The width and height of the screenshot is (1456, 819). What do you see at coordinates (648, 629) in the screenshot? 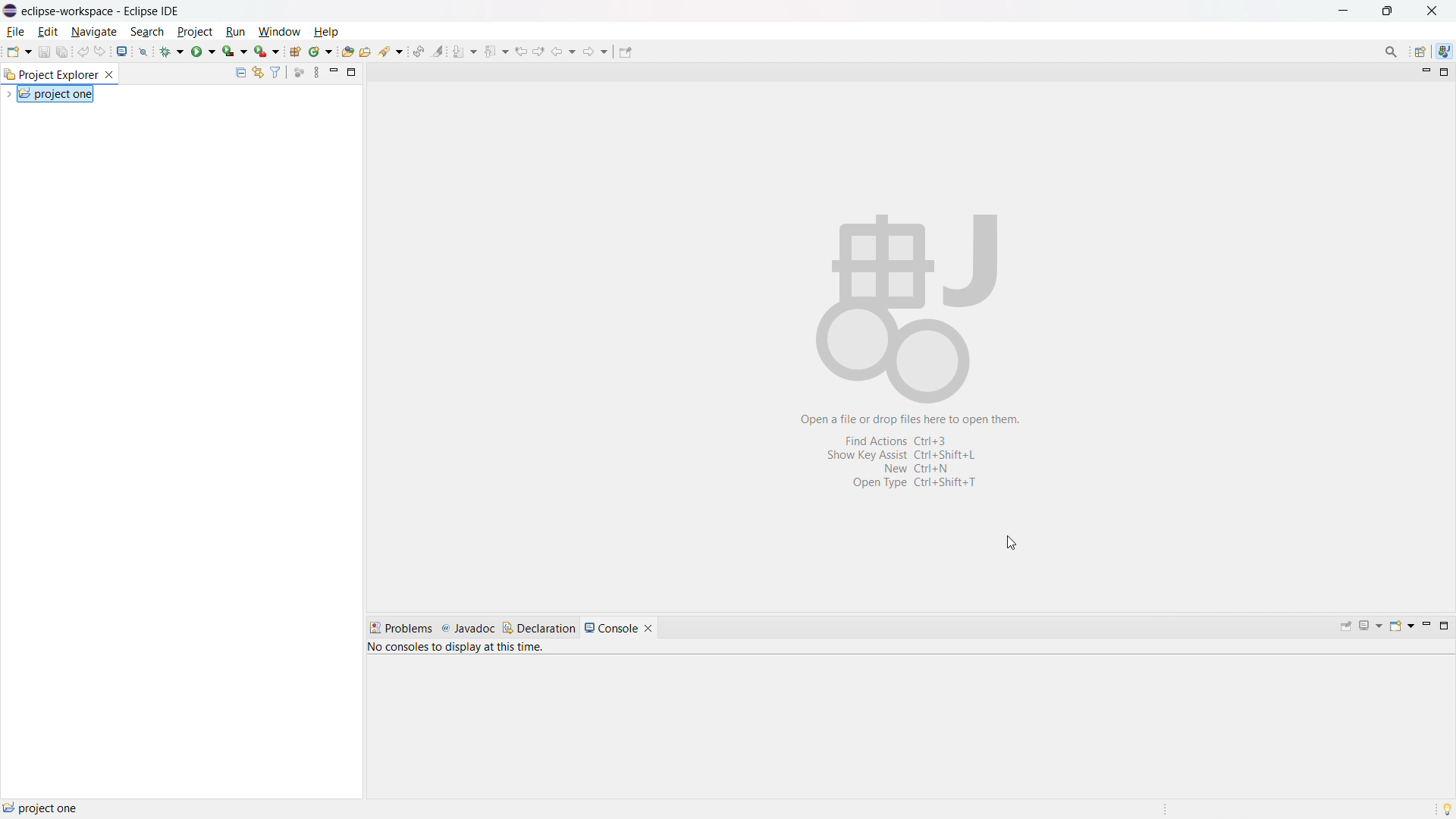
I see `close console` at bounding box center [648, 629].